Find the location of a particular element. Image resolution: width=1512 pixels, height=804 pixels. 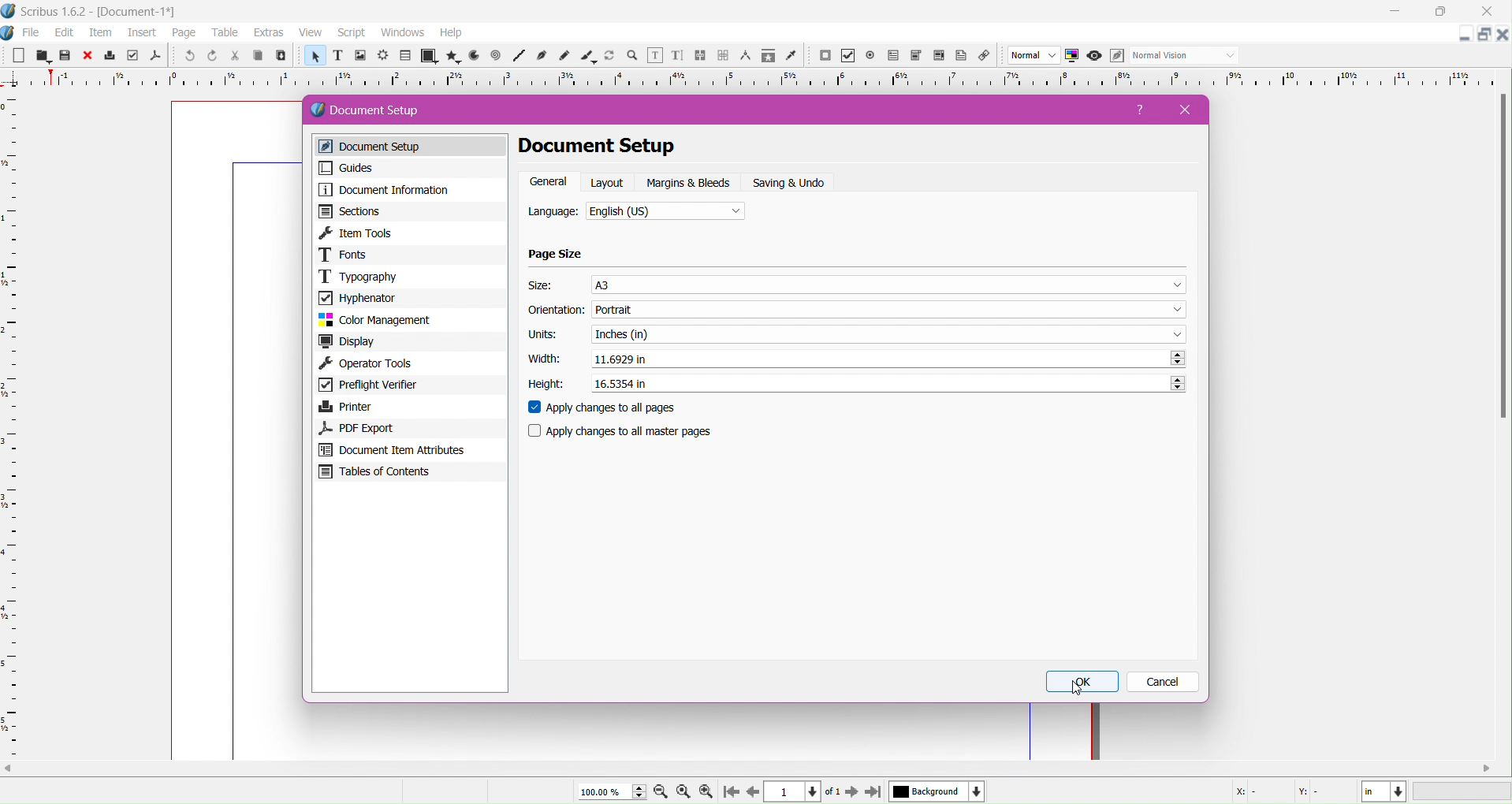

rotate item is located at coordinates (611, 57).